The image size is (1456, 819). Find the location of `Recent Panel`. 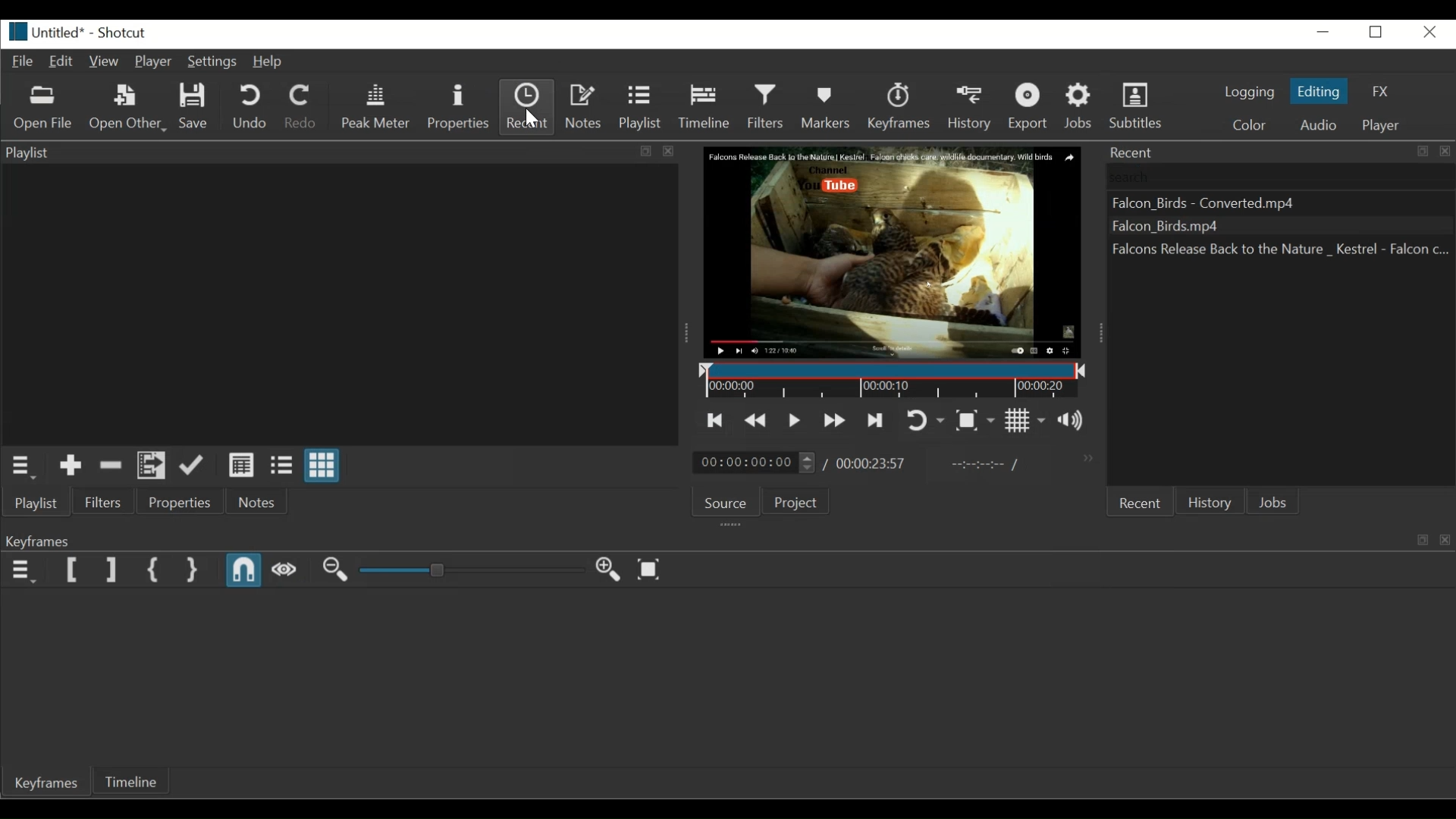

Recent Panel is located at coordinates (1280, 155).